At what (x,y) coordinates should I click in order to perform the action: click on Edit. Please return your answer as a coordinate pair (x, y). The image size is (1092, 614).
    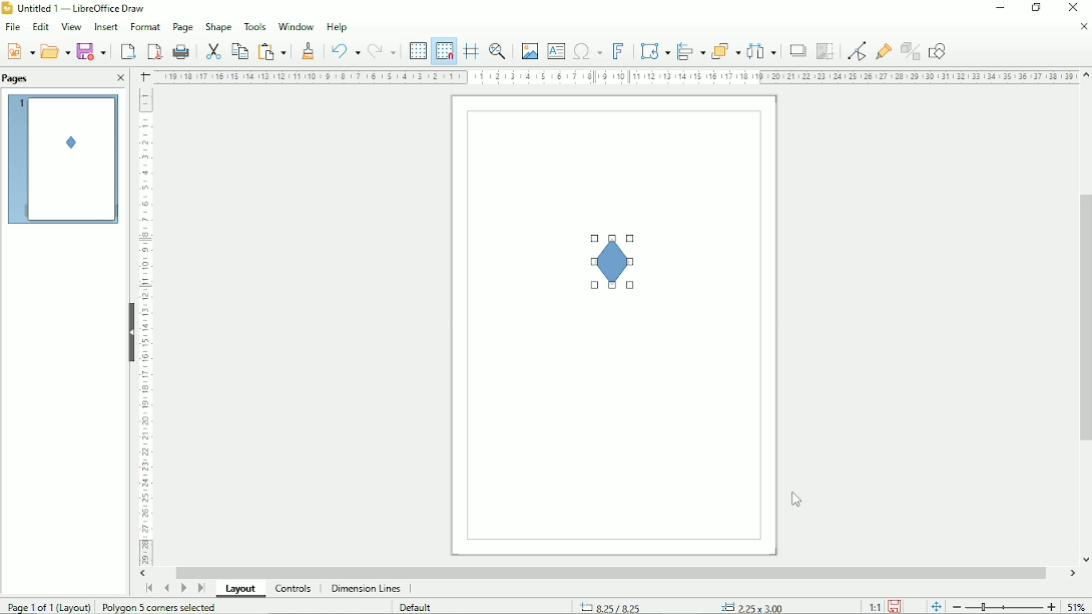
    Looking at the image, I should click on (40, 27).